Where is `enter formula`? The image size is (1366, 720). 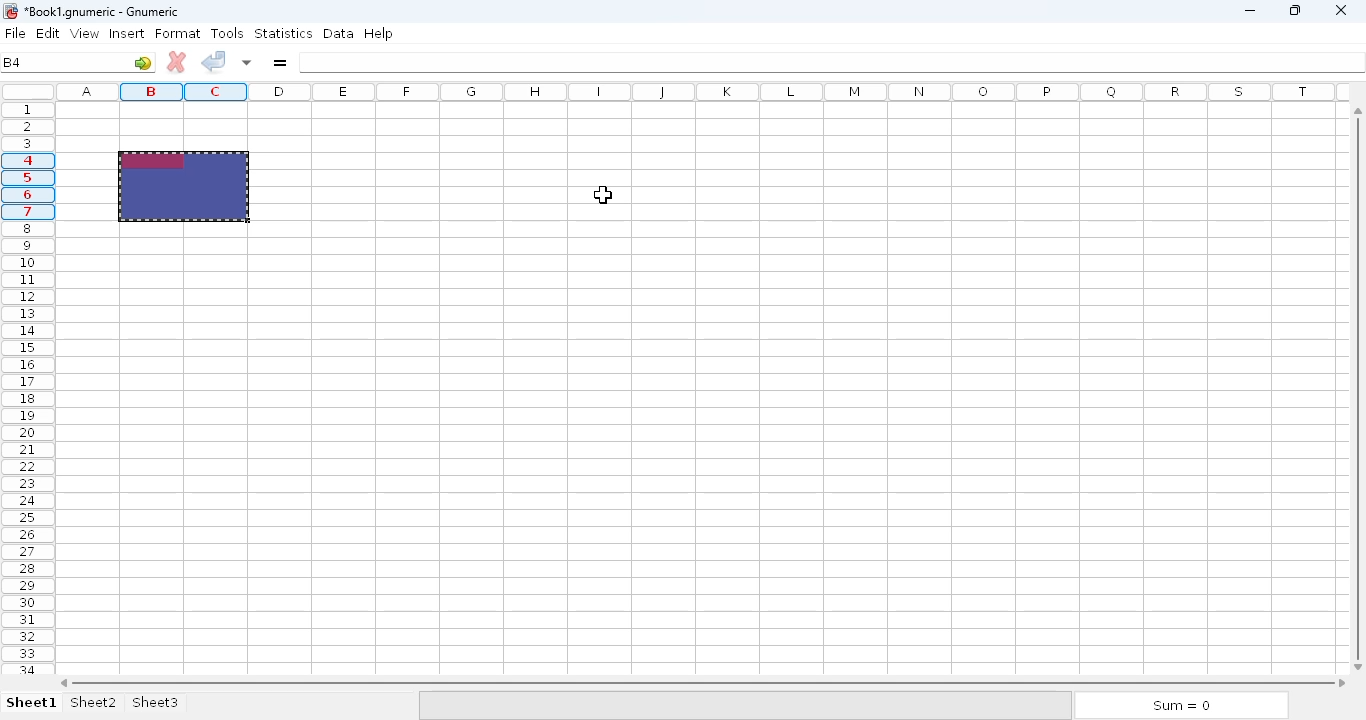
enter formula is located at coordinates (281, 62).